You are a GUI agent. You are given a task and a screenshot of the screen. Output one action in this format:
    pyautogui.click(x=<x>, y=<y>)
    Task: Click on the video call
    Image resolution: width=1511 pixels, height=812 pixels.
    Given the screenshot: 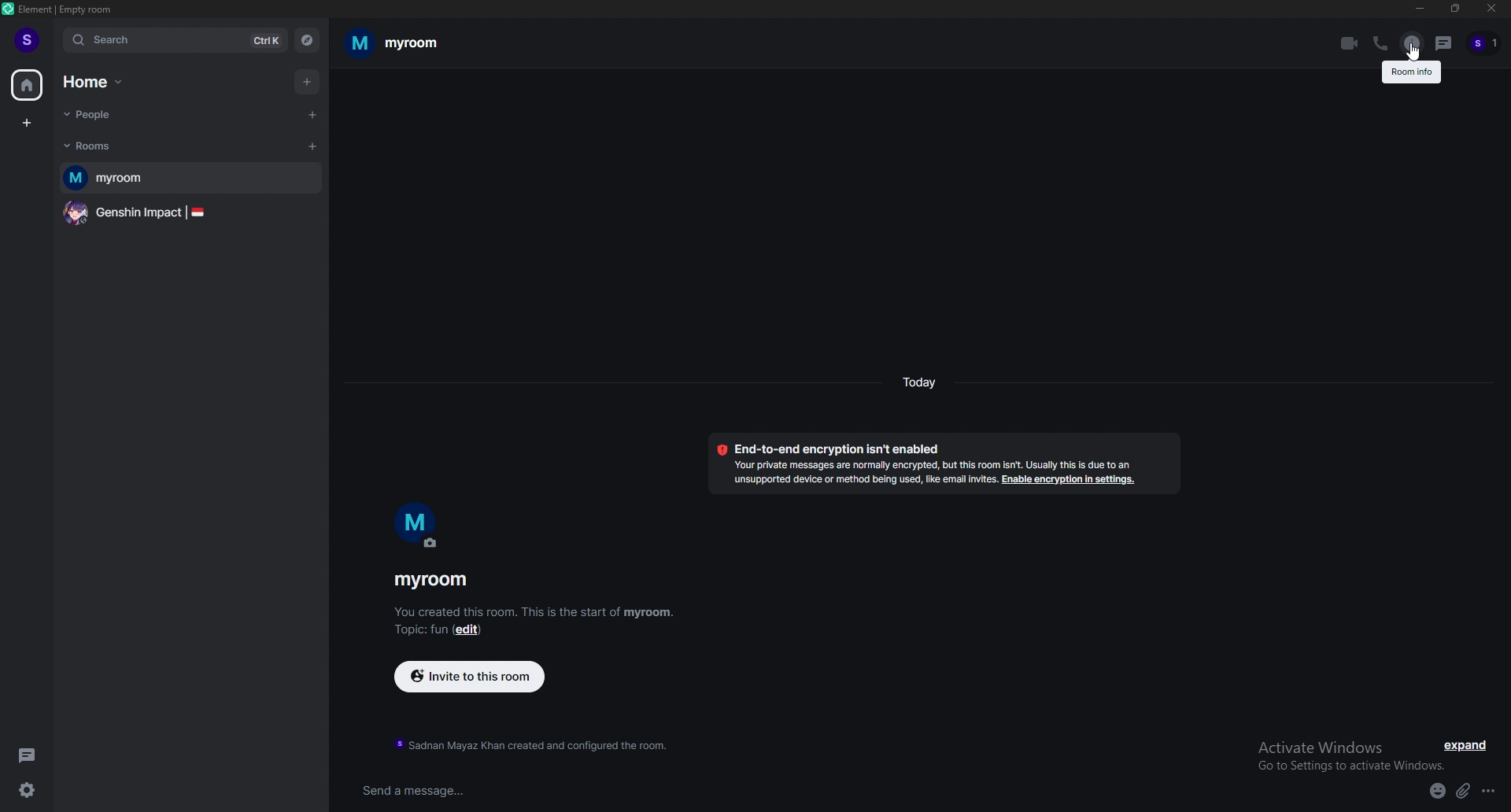 What is the action you would take?
    pyautogui.click(x=1350, y=45)
    